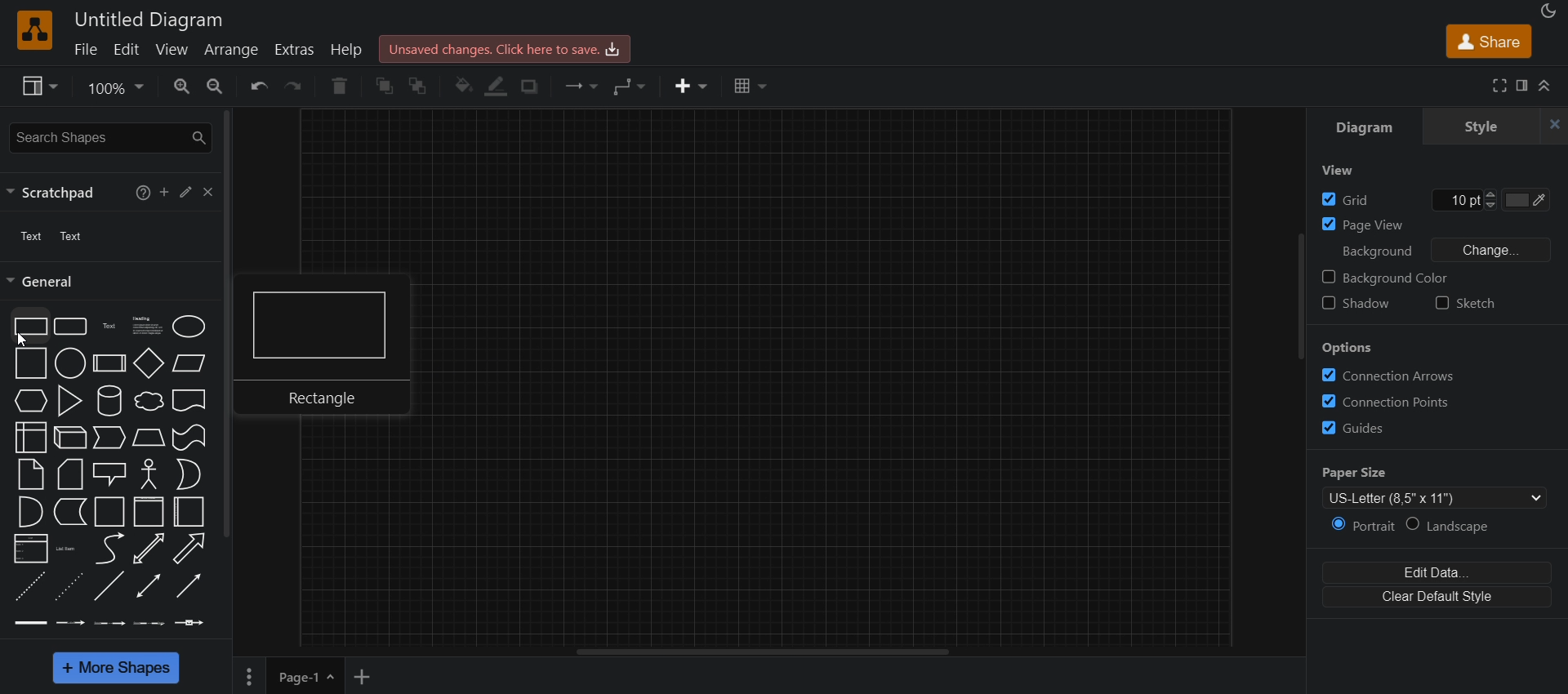 The height and width of the screenshot is (694, 1568). What do you see at coordinates (1368, 223) in the screenshot?
I see `page view` at bounding box center [1368, 223].